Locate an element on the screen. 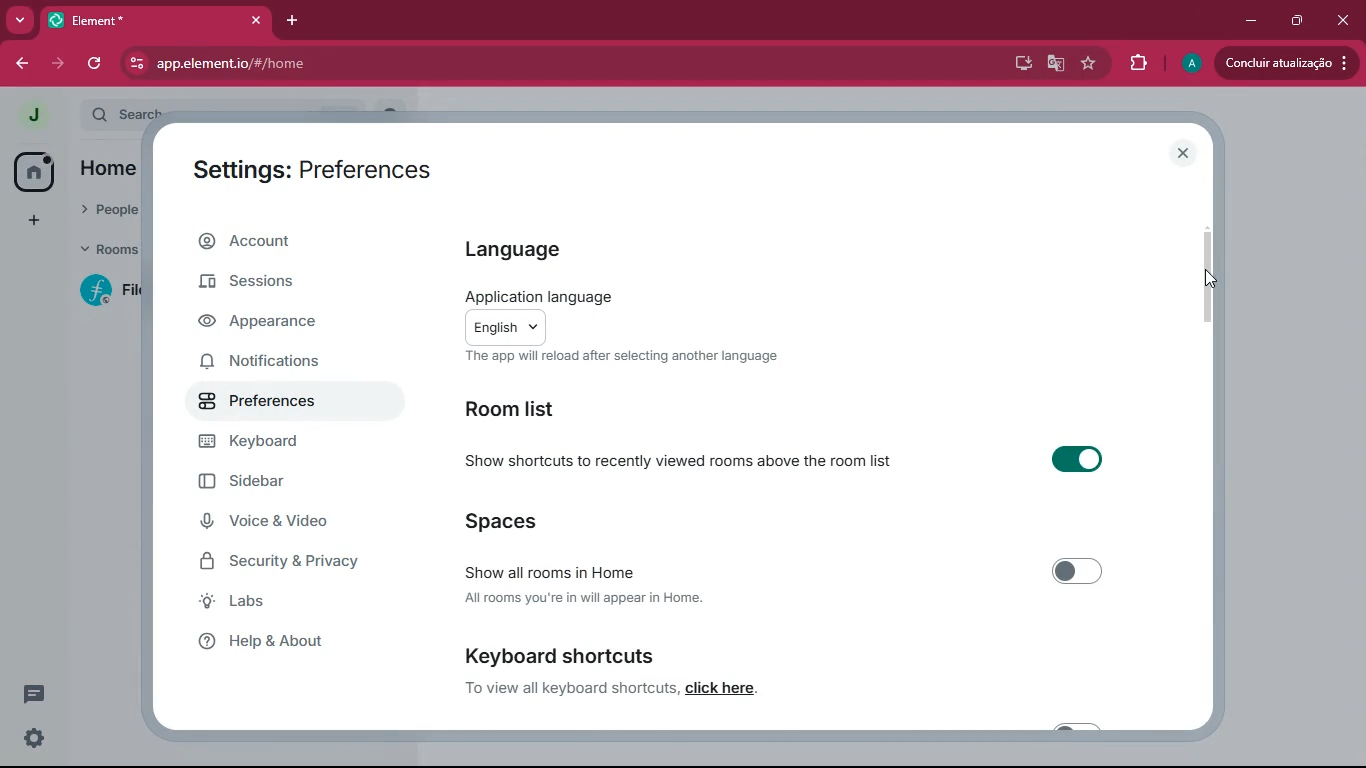  maximize is located at coordinates (1296, 22).